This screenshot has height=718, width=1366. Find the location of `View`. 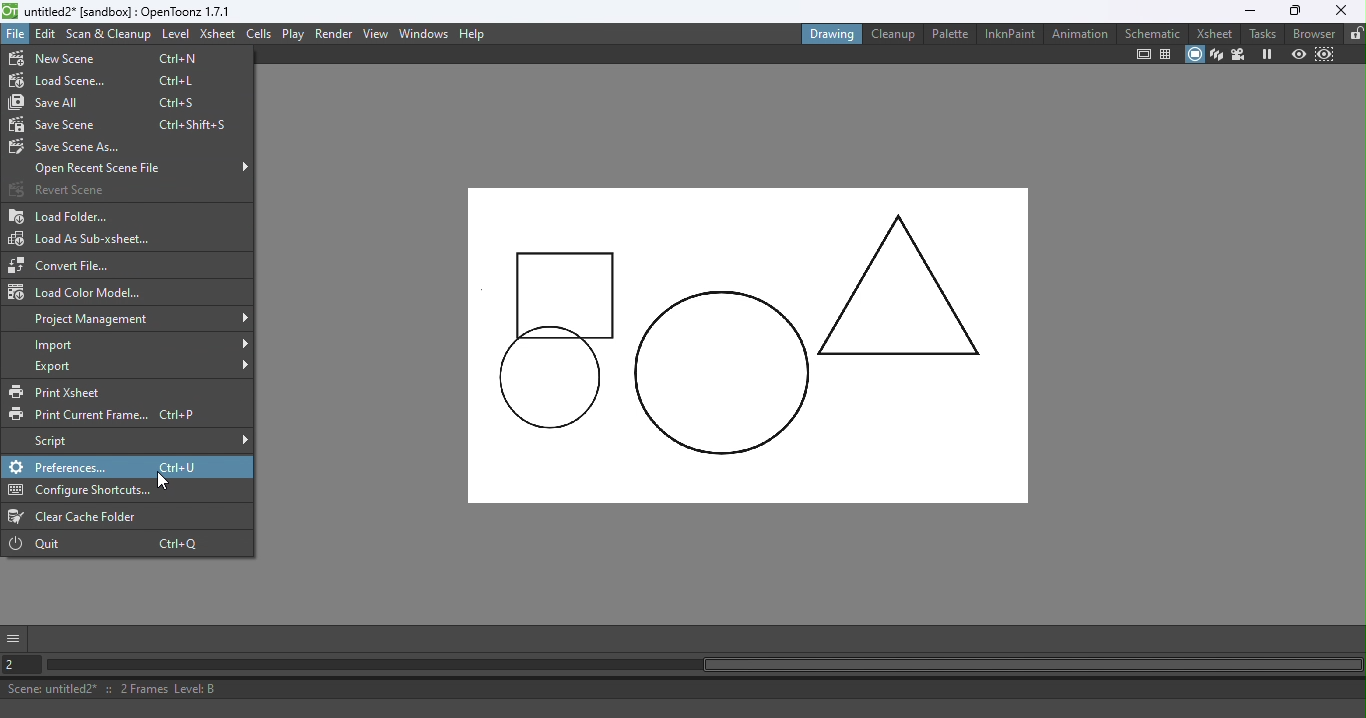

View is located at coordinates (374, 33).